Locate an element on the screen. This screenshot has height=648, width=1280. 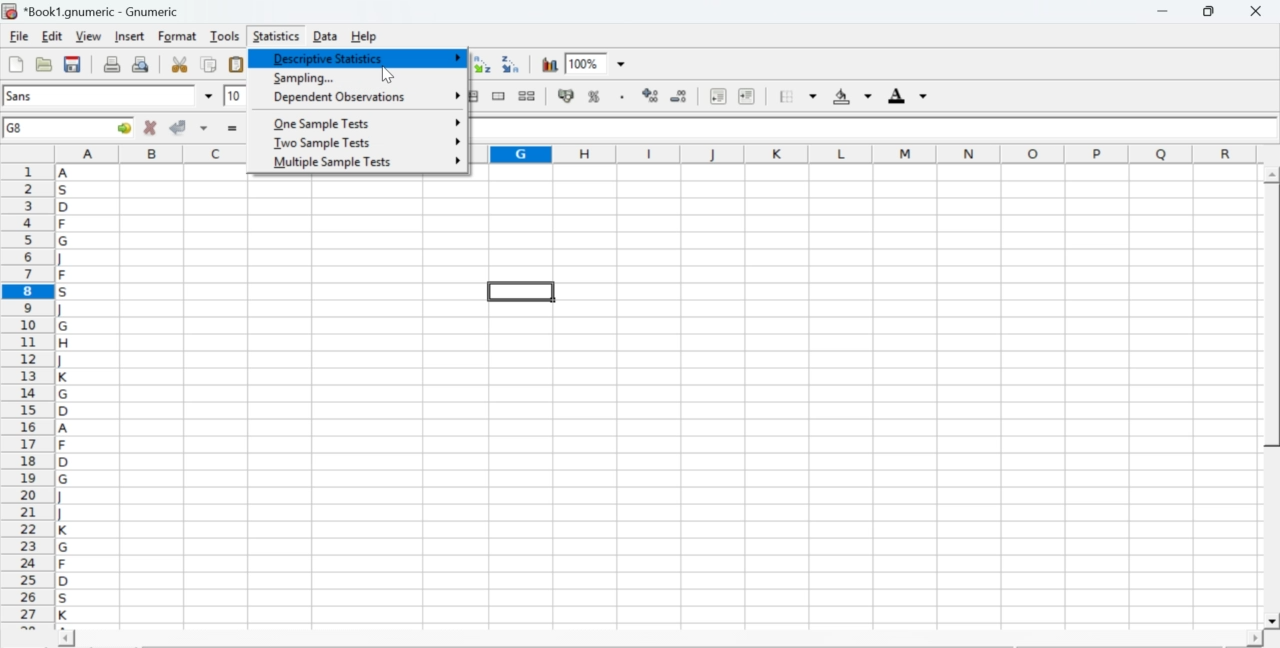
more is located at coordinates (457, 58).